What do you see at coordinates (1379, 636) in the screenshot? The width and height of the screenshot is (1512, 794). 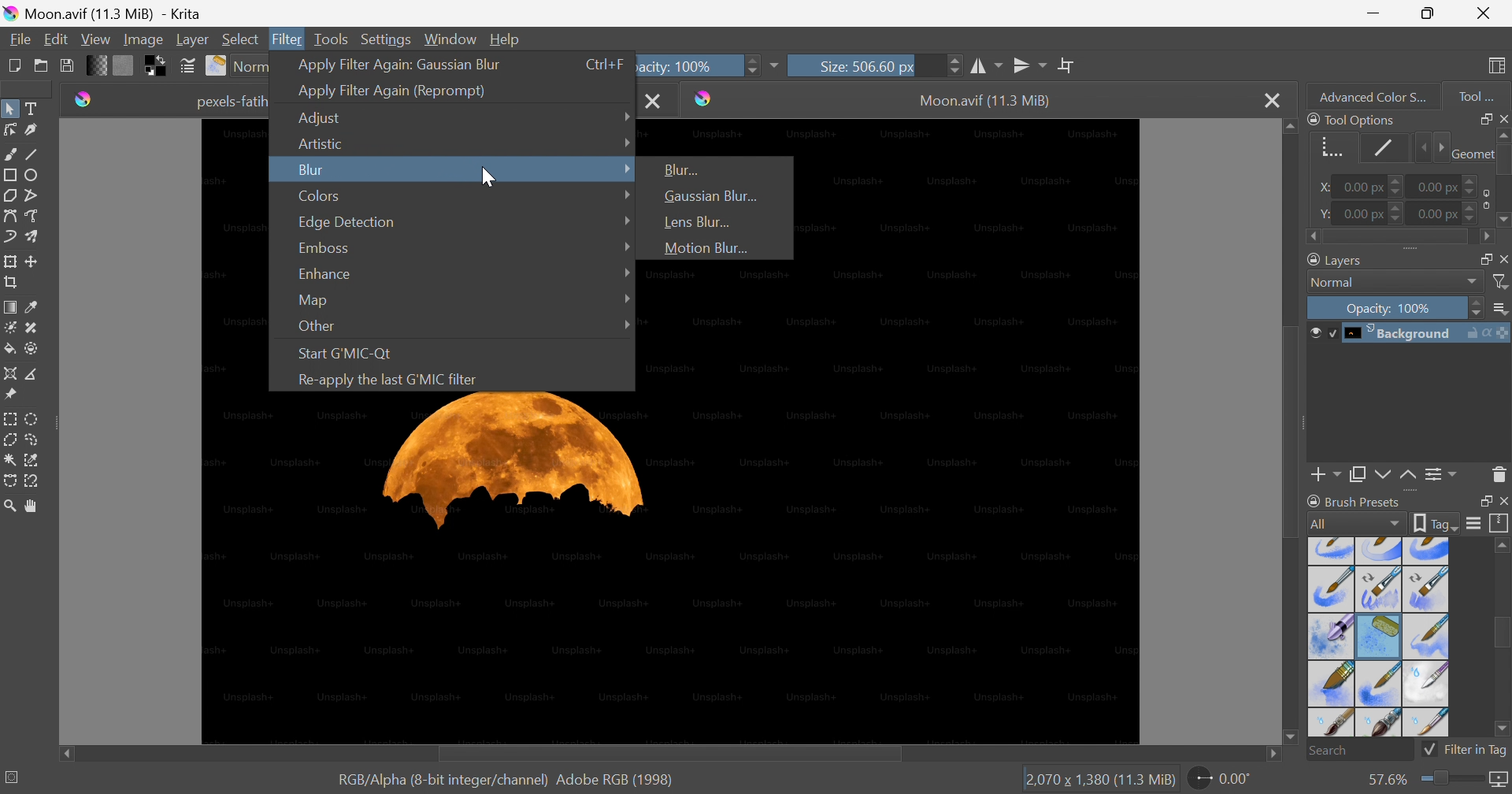 I see `Types of brush` at bounding box center [1379, 636].